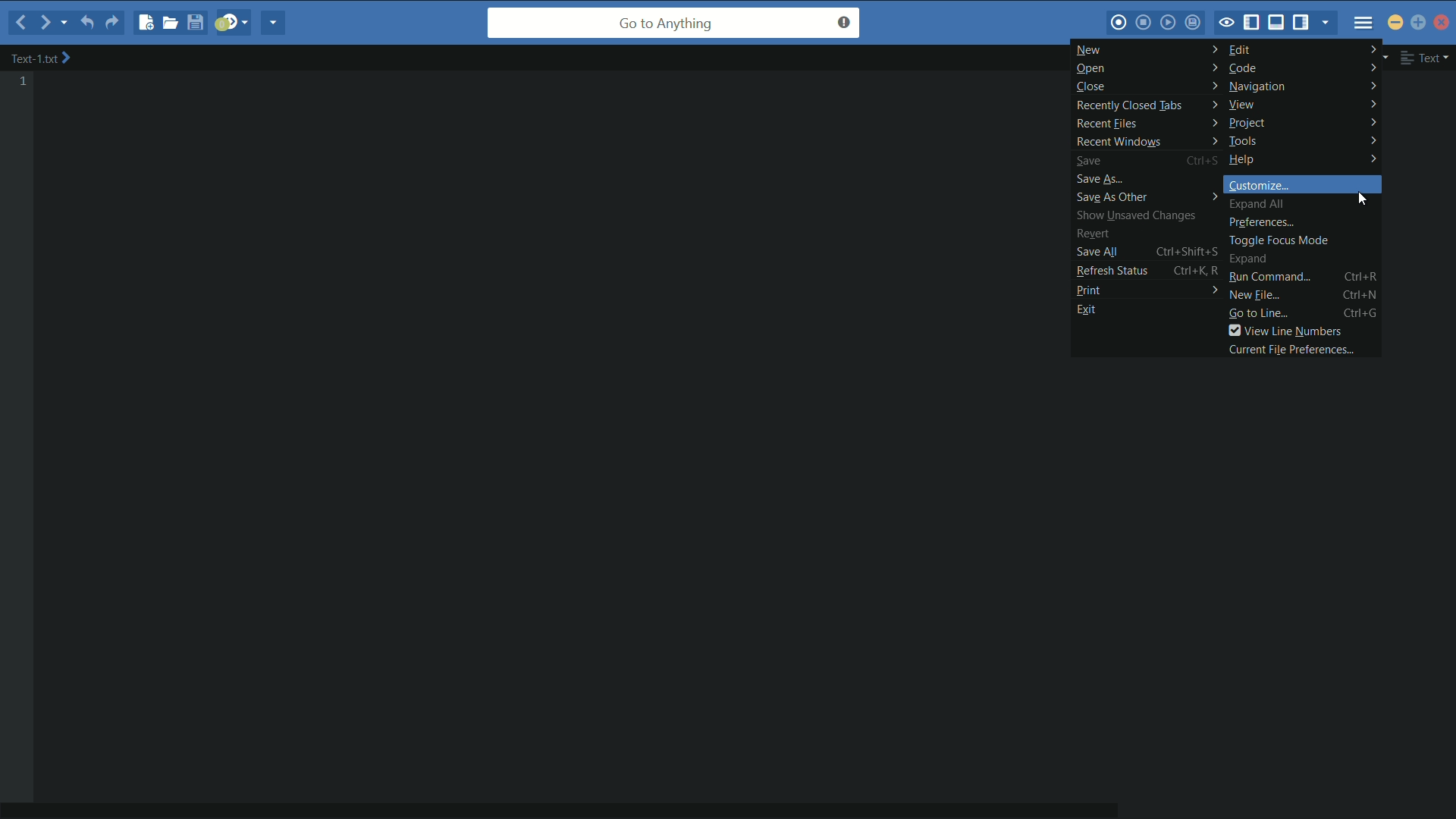  I want to click on save as other, so click(1147, 196).